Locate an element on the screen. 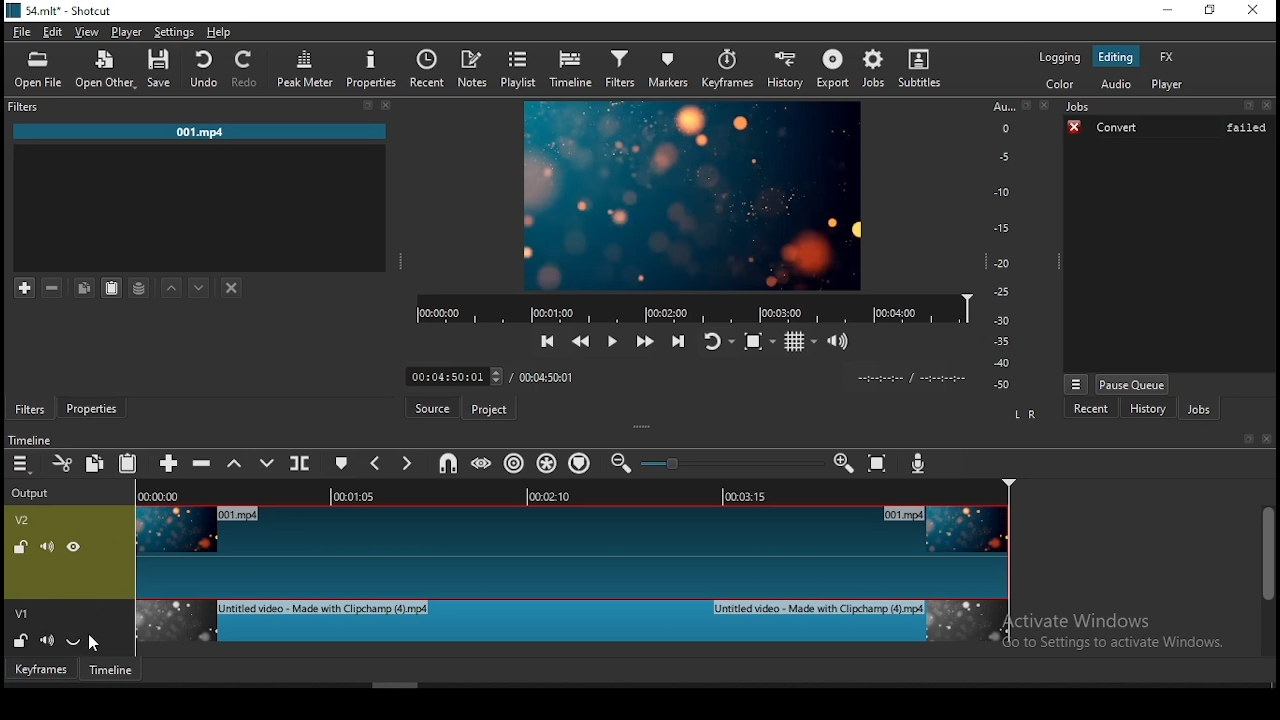 This screenshot has width=1280, height=720. snap is located at coordinates (450, 466).